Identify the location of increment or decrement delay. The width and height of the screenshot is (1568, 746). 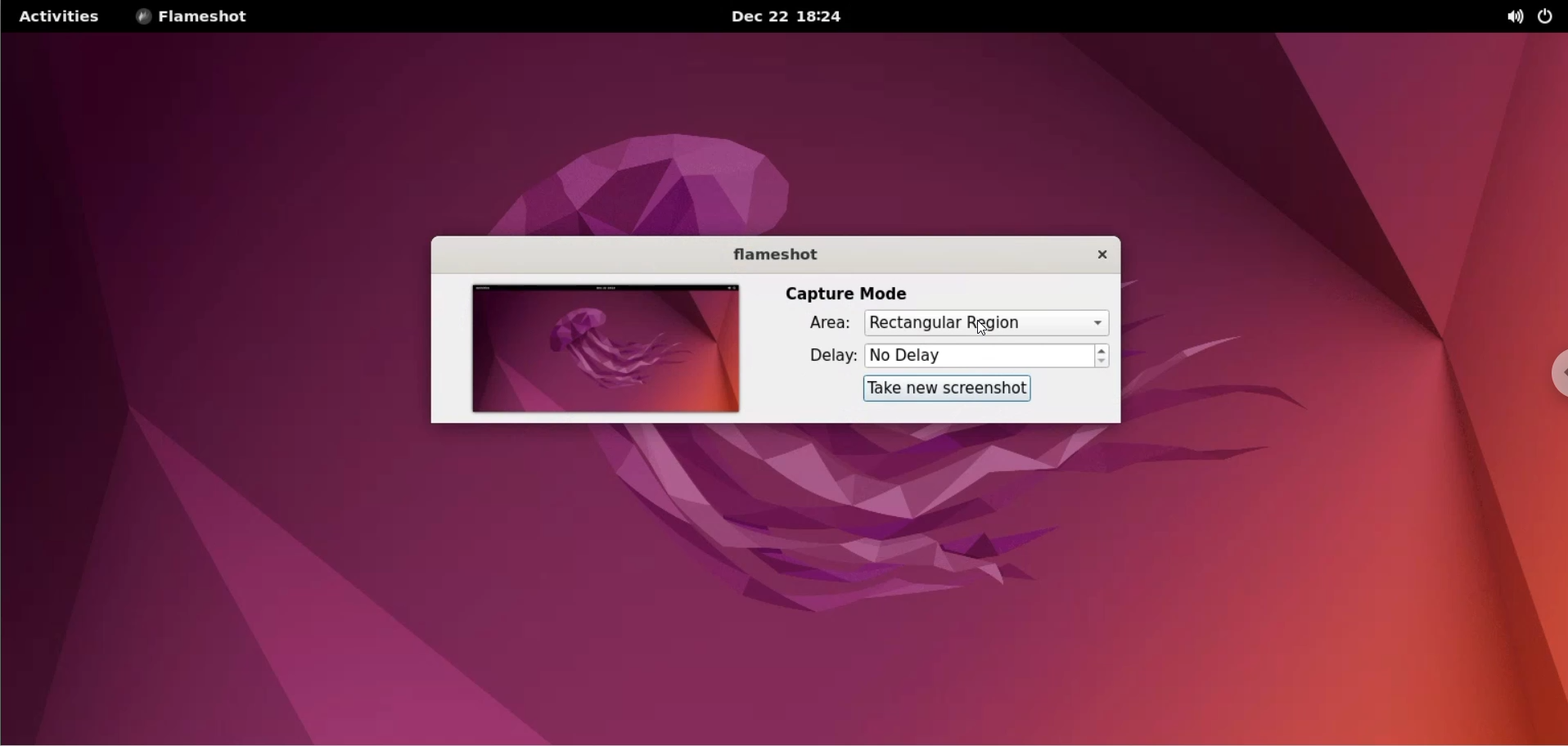
(1106, 356).